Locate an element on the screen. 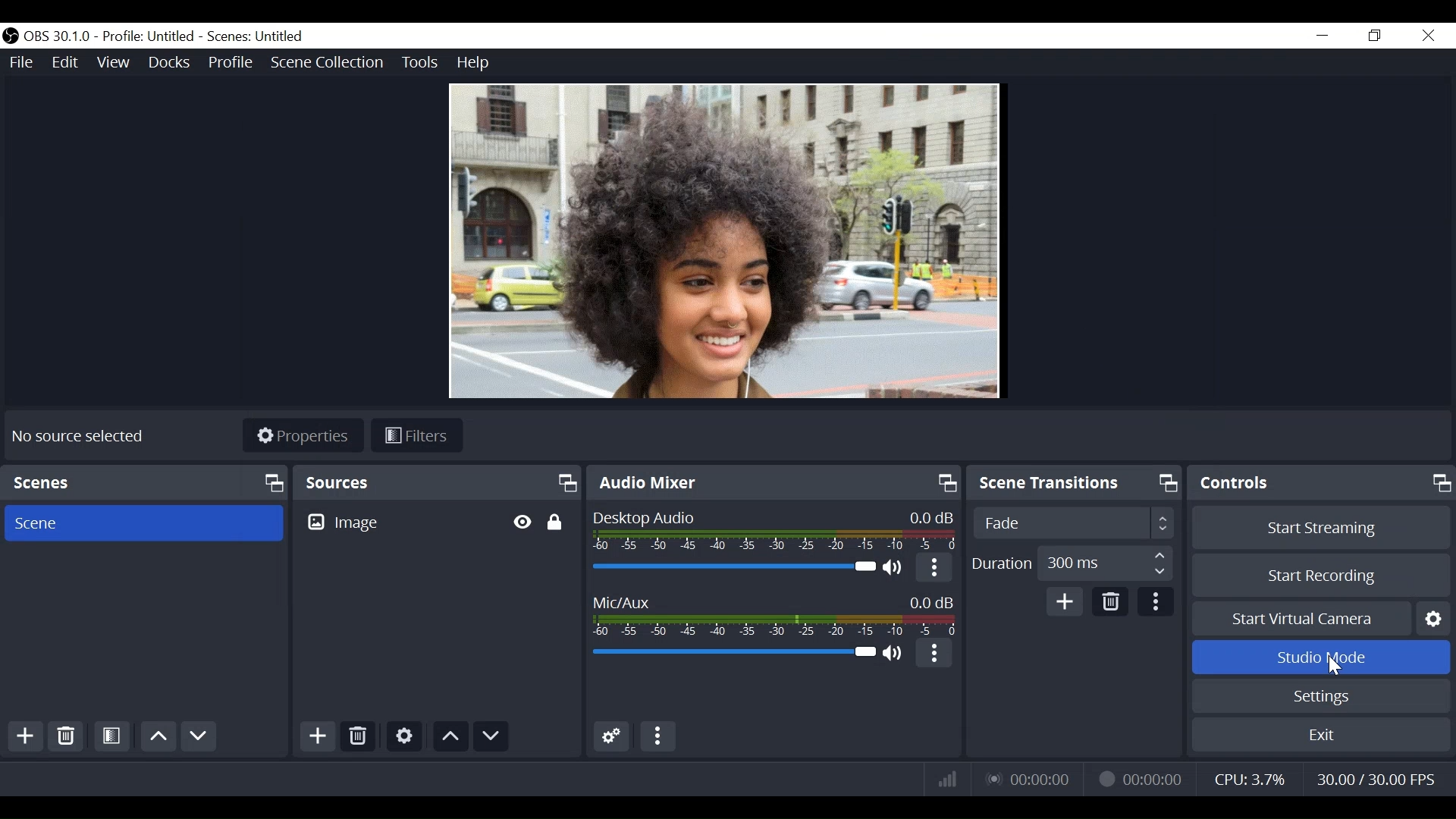 The width and height of the screenshot is (1456, 819). Restore is located at coordinates (1375, 36).